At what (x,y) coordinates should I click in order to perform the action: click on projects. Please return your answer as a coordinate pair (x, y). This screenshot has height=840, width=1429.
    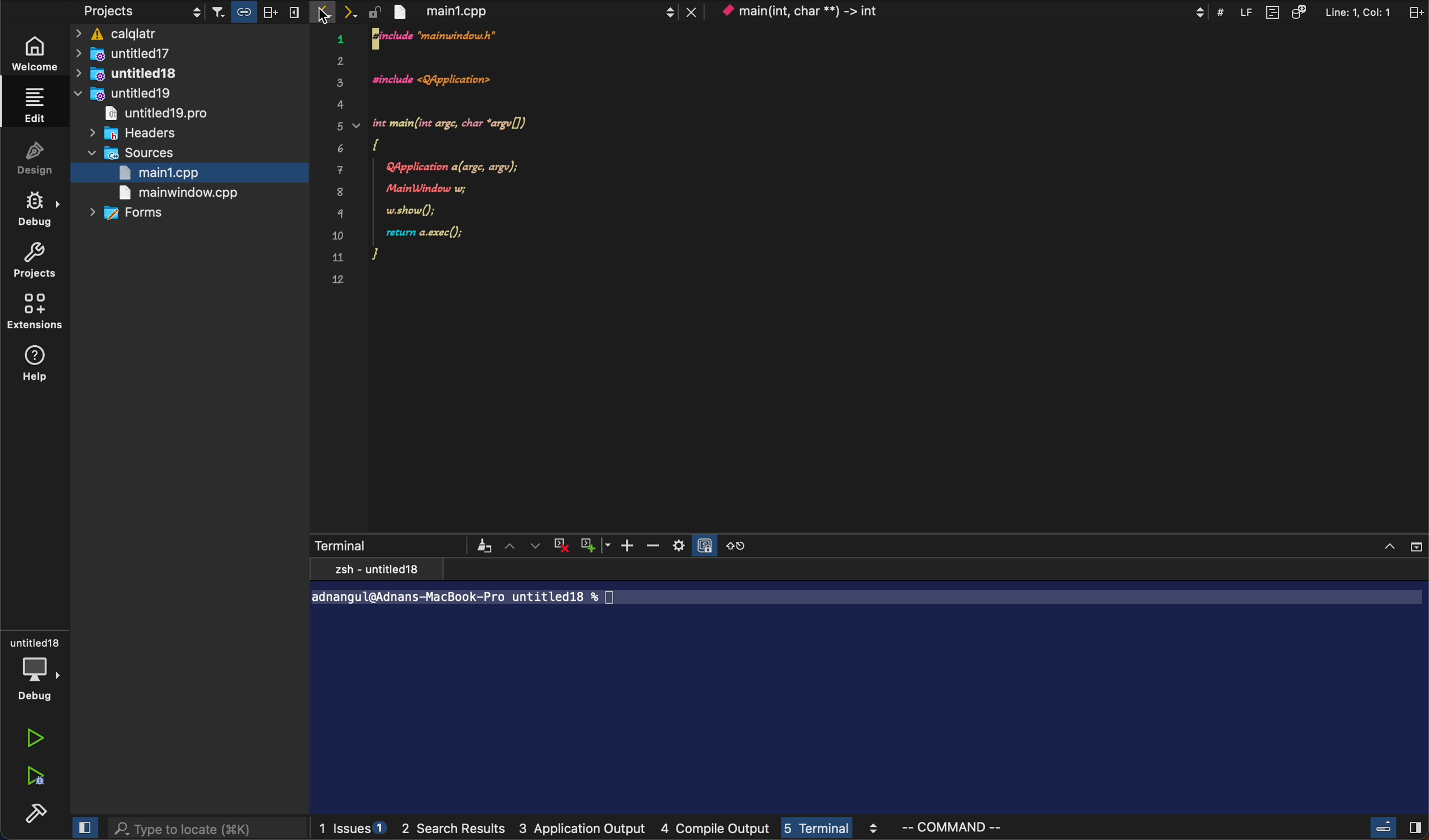
    Looking at the image, I should click on (137, 12).